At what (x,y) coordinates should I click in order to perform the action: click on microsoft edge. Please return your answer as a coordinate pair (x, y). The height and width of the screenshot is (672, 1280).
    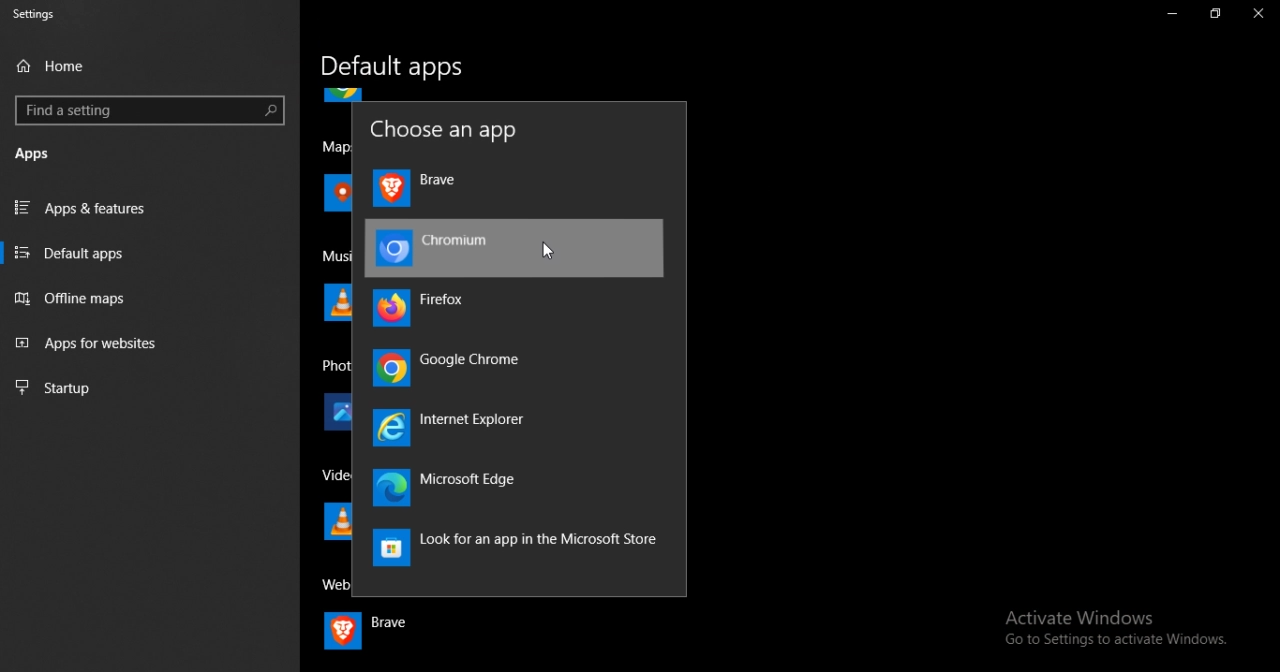
    Looking at the image, I should click on (454, 488).